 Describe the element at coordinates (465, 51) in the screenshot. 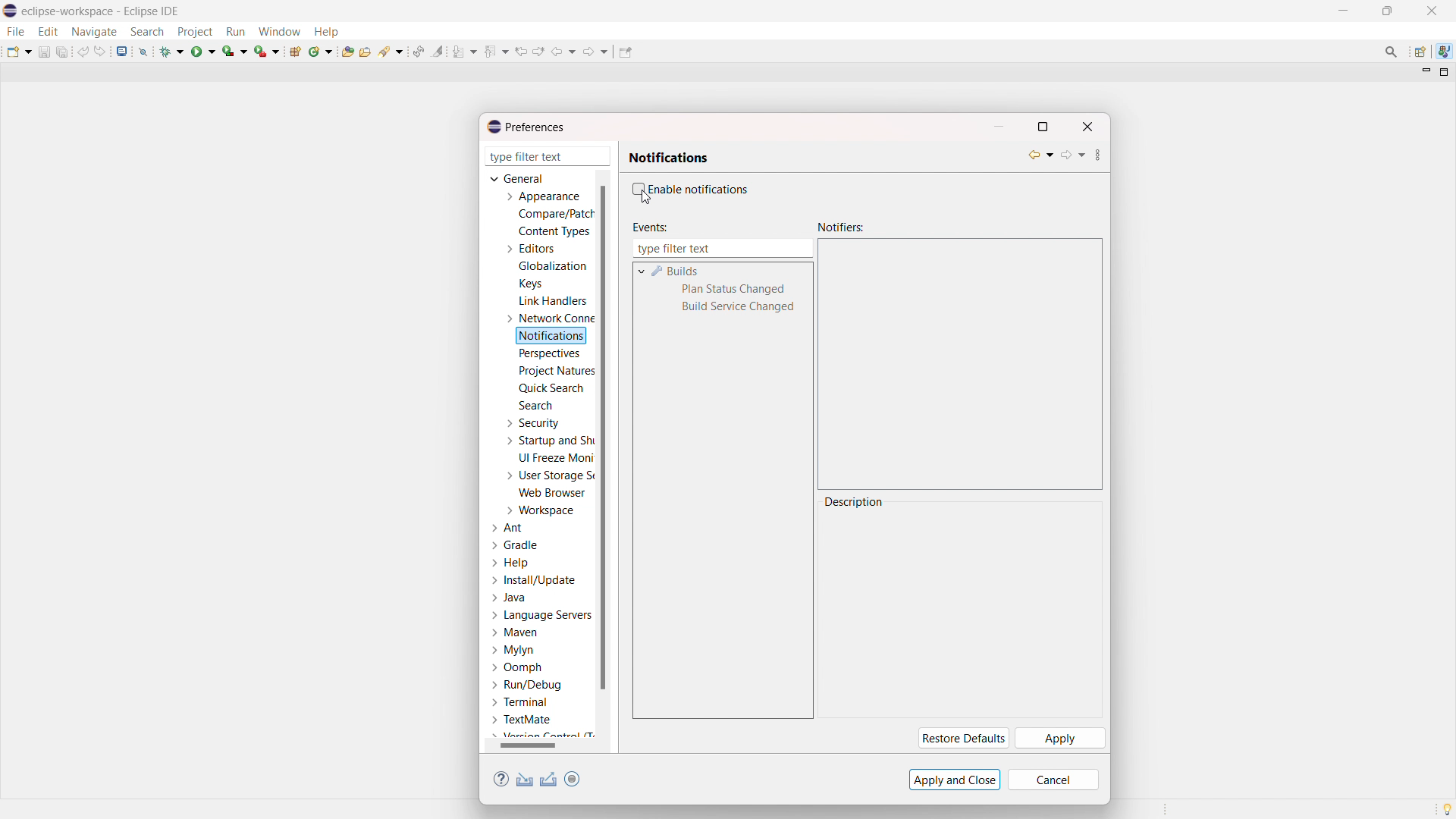

I see `next annotation` at that location.